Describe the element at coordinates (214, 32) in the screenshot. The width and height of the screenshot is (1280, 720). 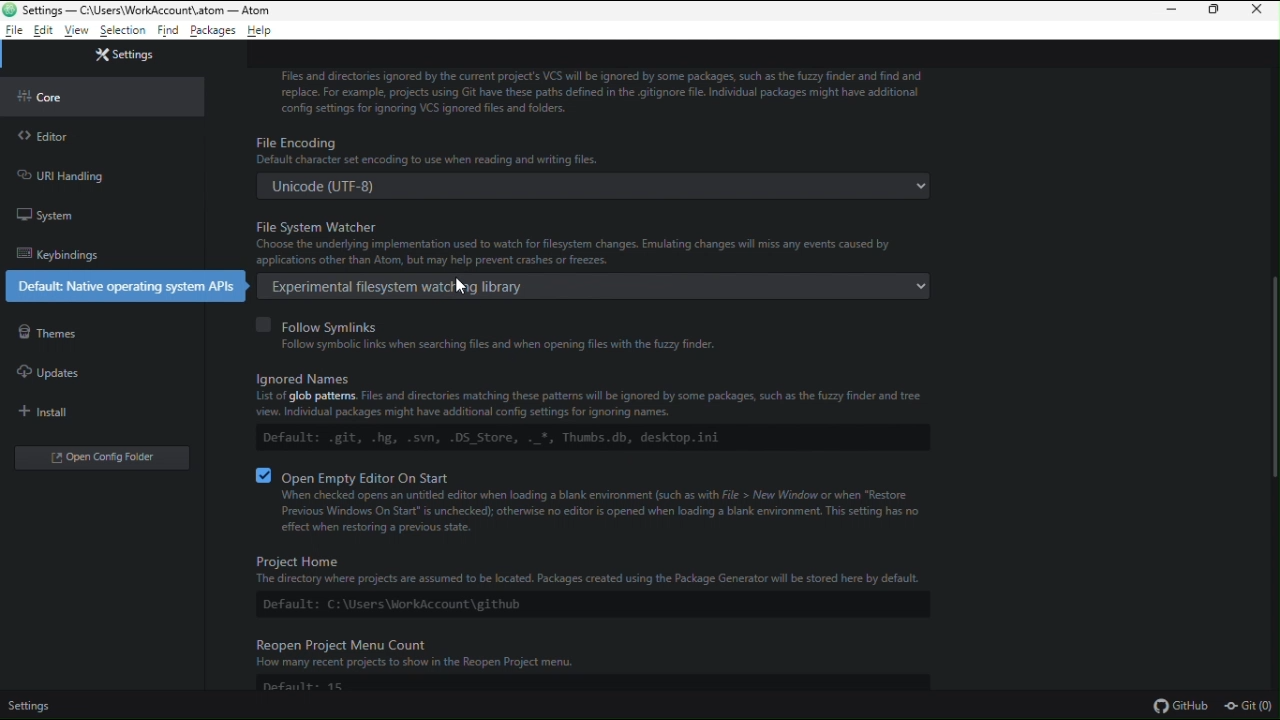
I see `Packages ` at that location.